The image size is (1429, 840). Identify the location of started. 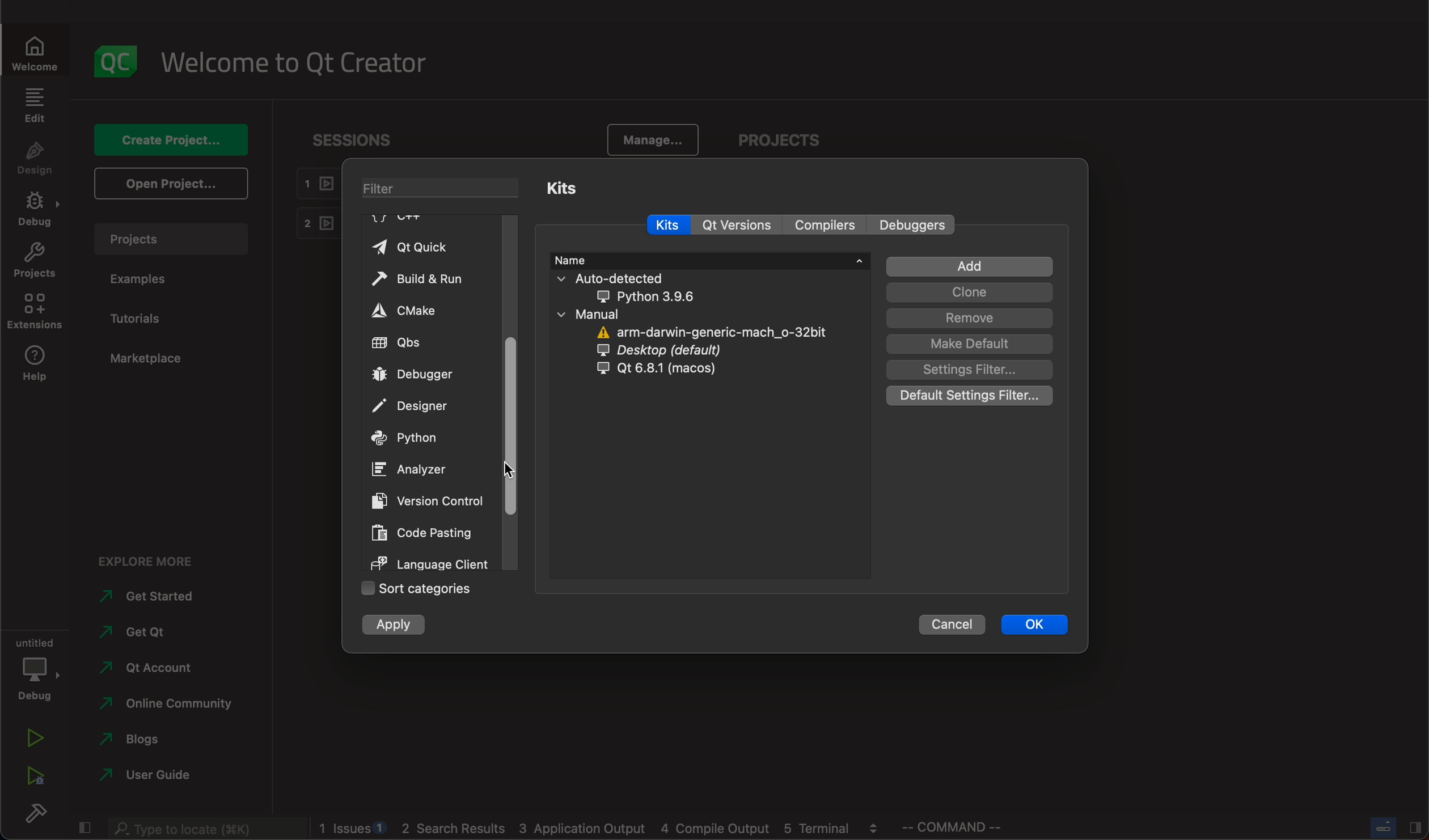
(154, 599).